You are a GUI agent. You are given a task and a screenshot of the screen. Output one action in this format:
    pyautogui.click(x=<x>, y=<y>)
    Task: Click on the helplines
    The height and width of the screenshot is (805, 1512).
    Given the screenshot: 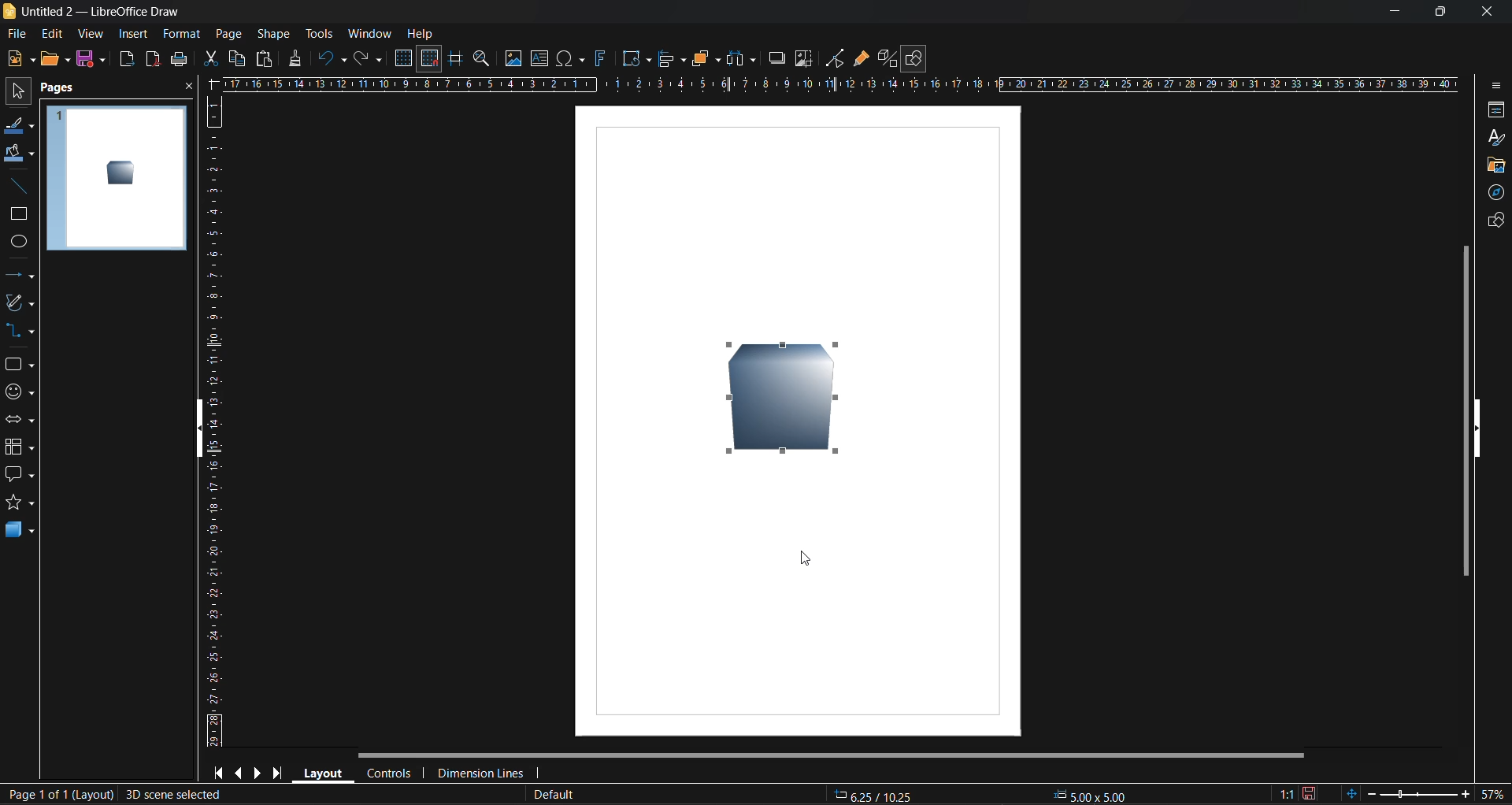 What is the action you would take?
    pyautogui.click(x=454, y=61)
    